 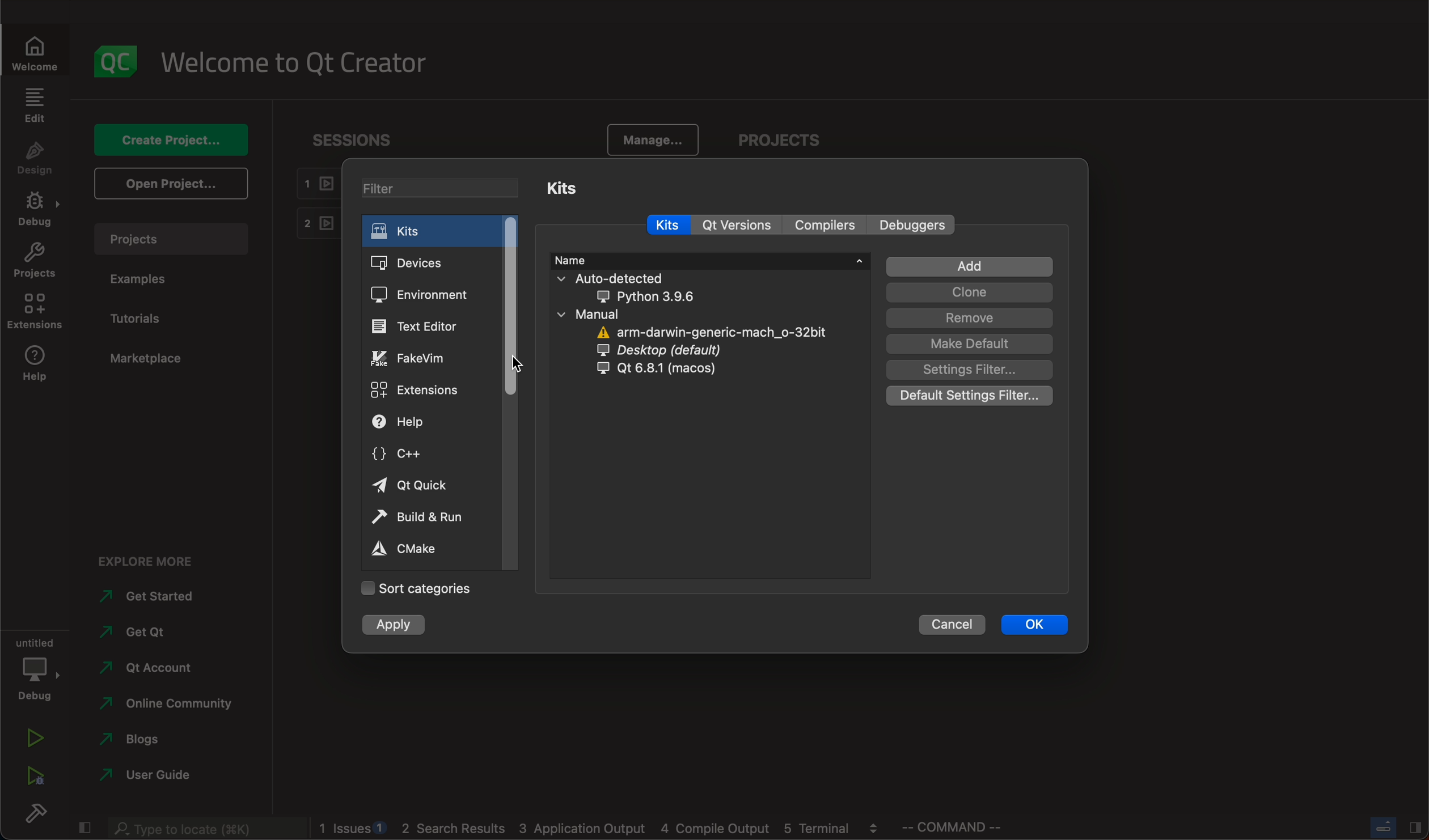 I want to click on marketplace, so click(x=146, y=360).